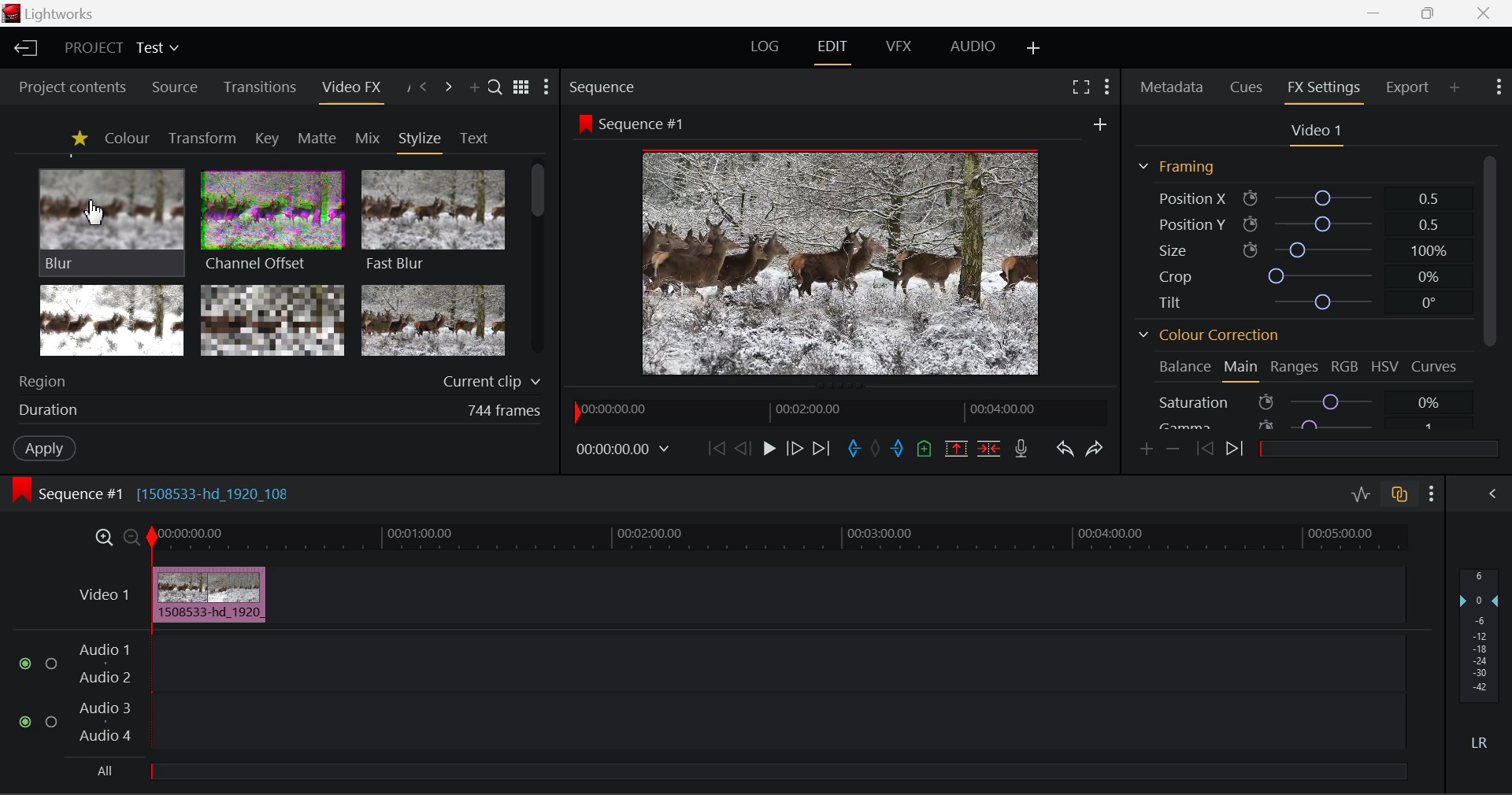 The width and height of the screenshot is (1512, 795). Describe the element at coordinates (496, 89) in the screenshot. I see `Search` at that location.